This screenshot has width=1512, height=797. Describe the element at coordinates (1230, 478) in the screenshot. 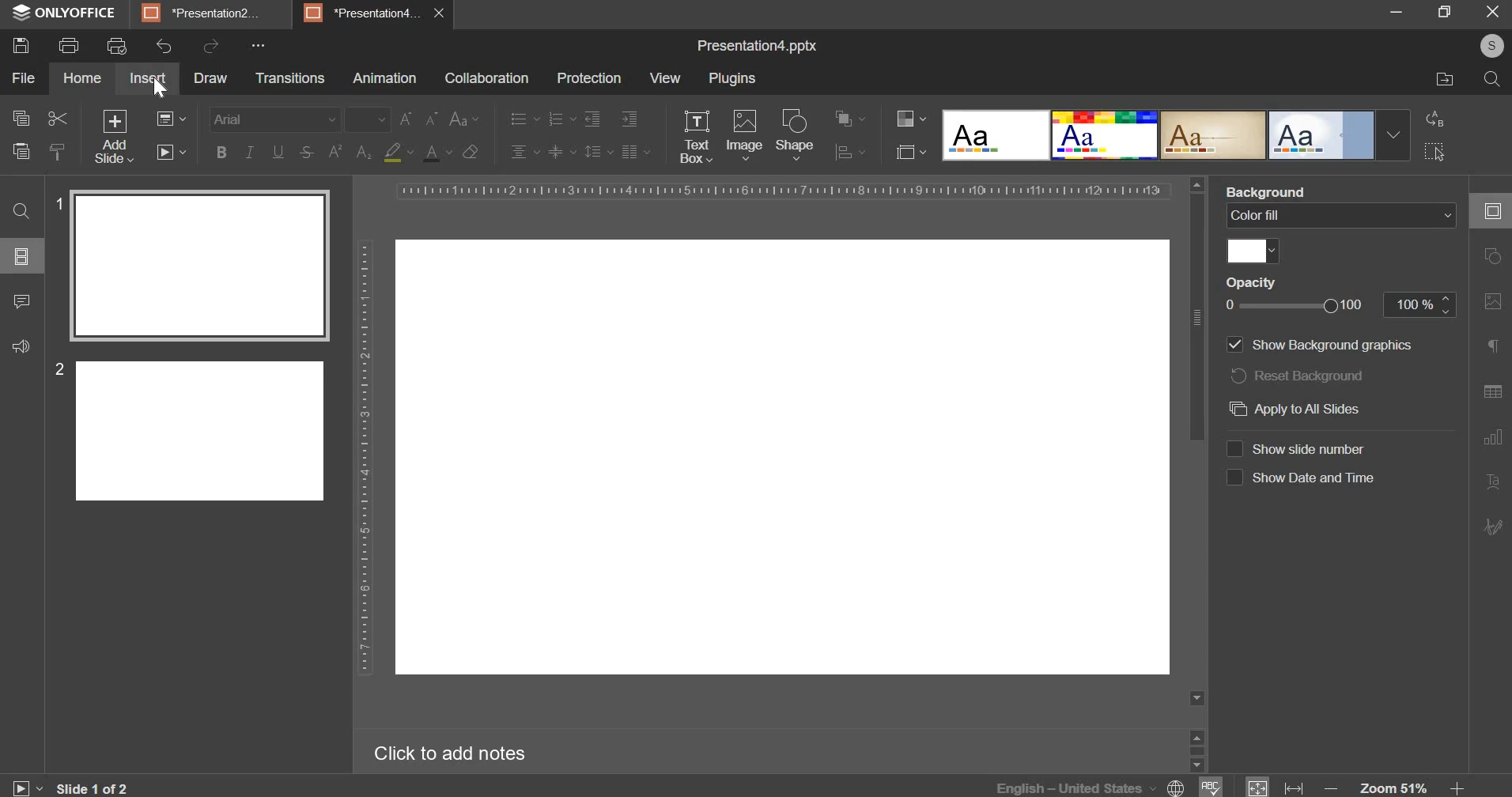

I see `show date & time` at that location.